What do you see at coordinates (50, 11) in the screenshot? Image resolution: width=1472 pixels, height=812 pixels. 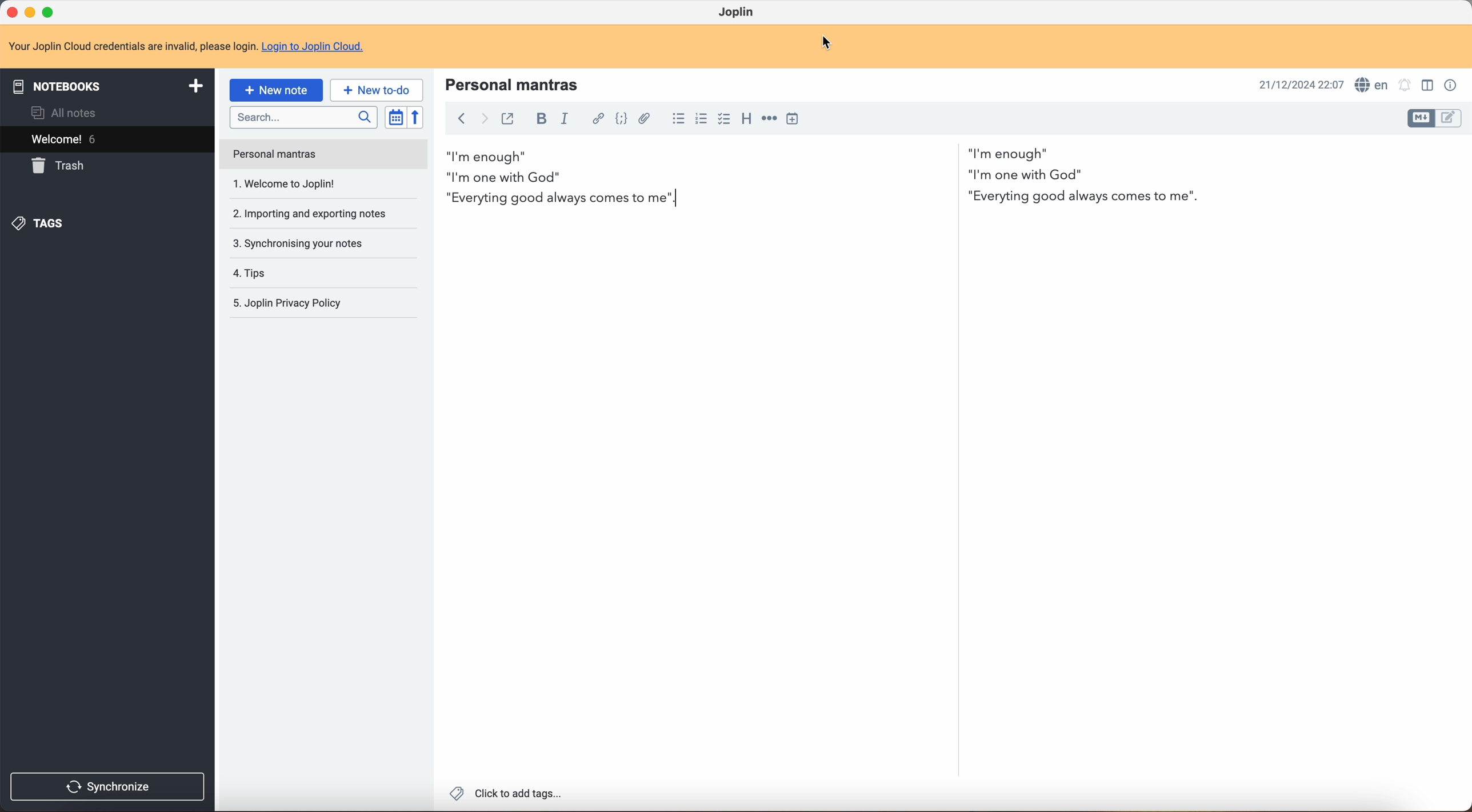 I see `maximize program` at bounding box center [50, 11].